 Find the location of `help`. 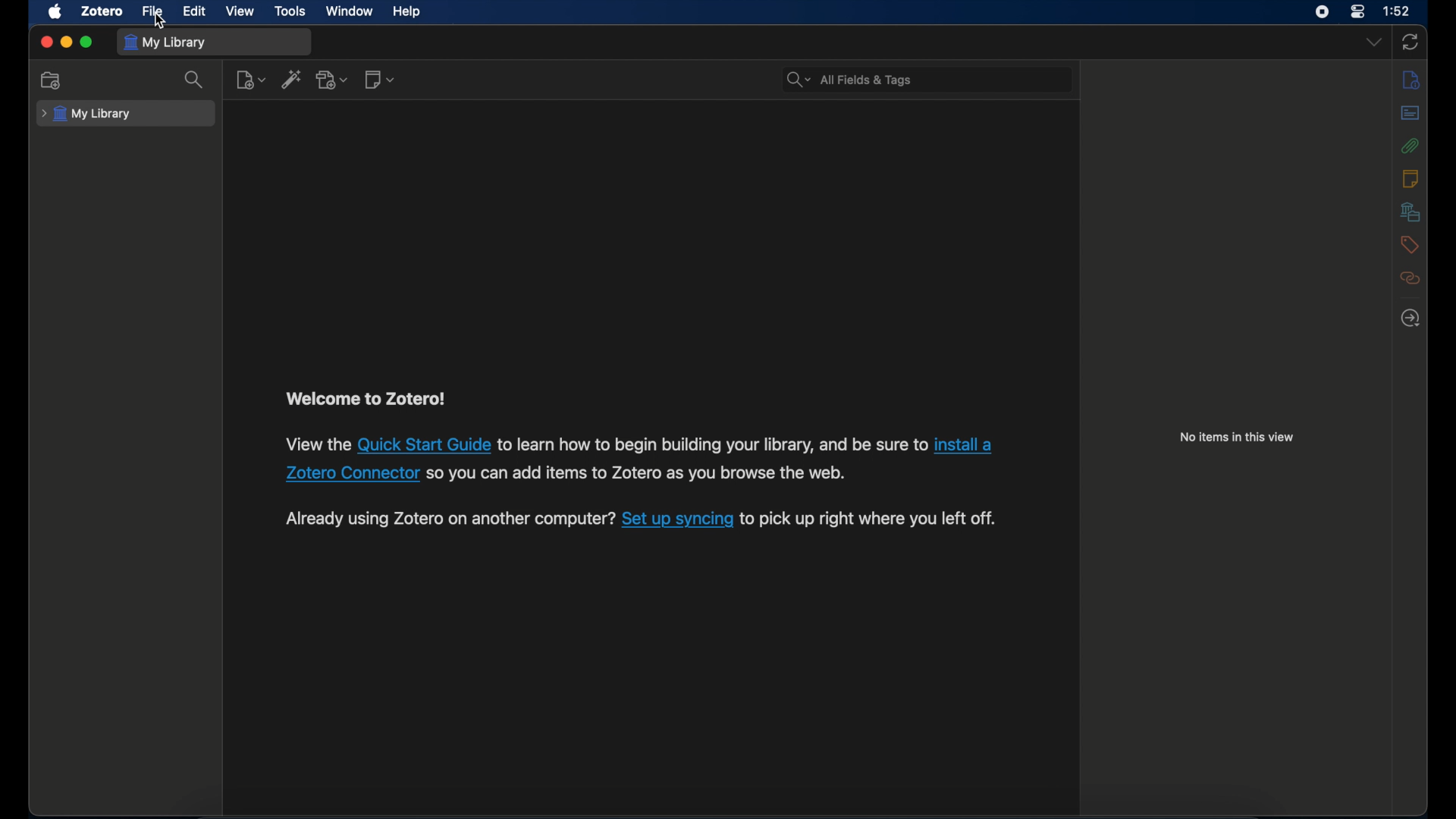

help is located at coordinates (406, 11).